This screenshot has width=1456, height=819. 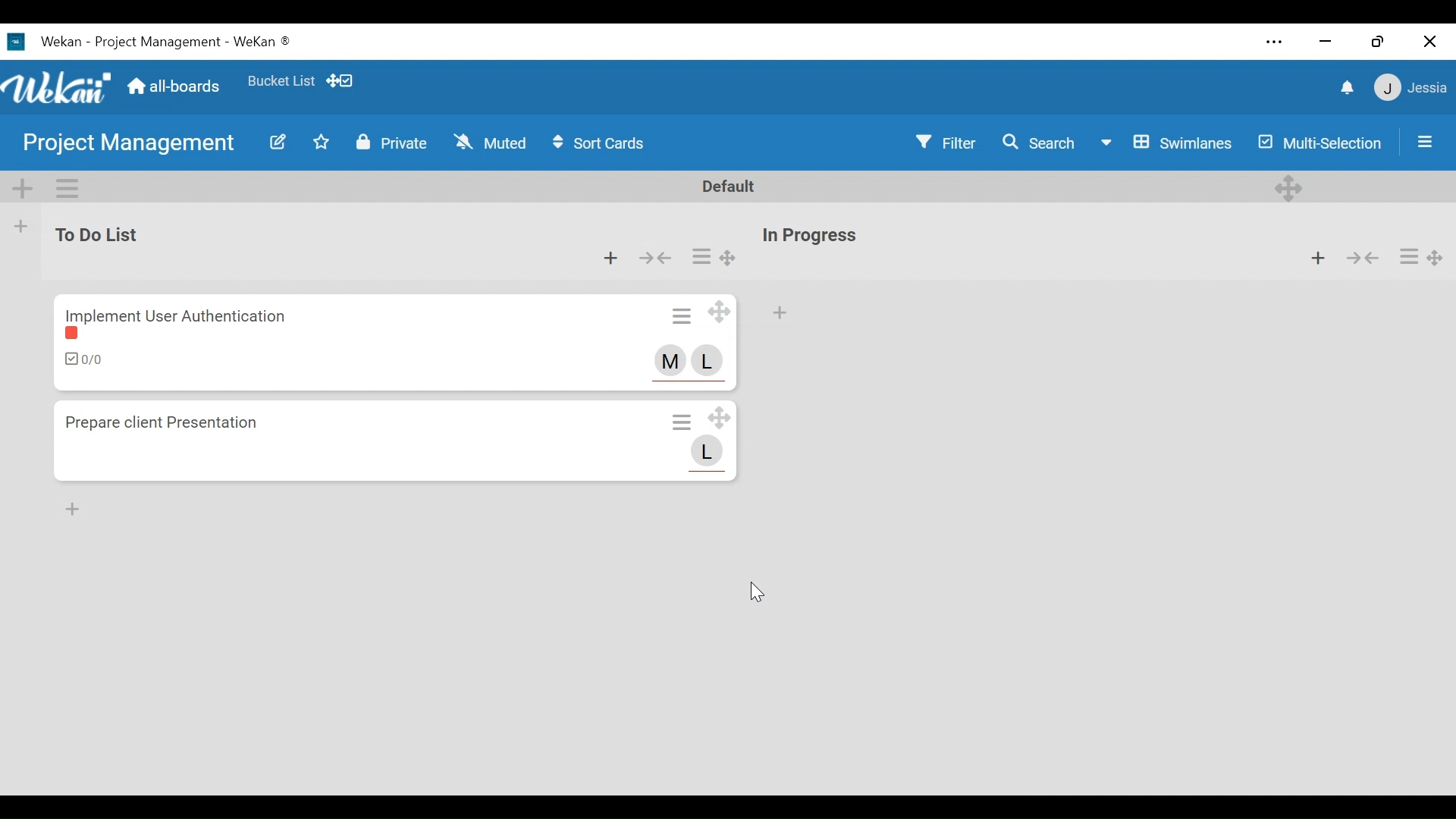 I want to click on Add Swimlane, so click(x=25, y=190).